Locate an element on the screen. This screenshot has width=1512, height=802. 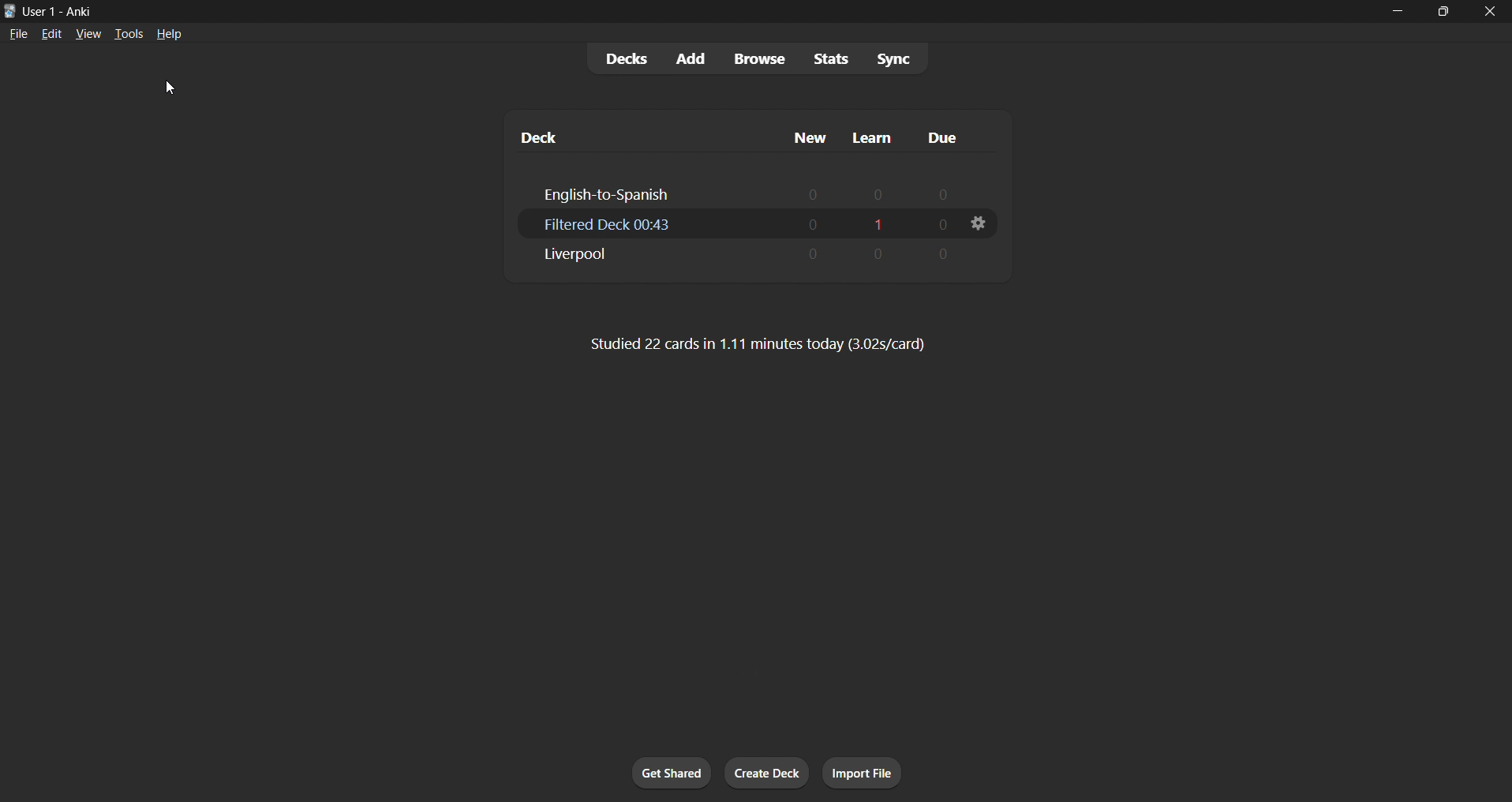
English-to-Spanish is located at coordinates (604, 189).